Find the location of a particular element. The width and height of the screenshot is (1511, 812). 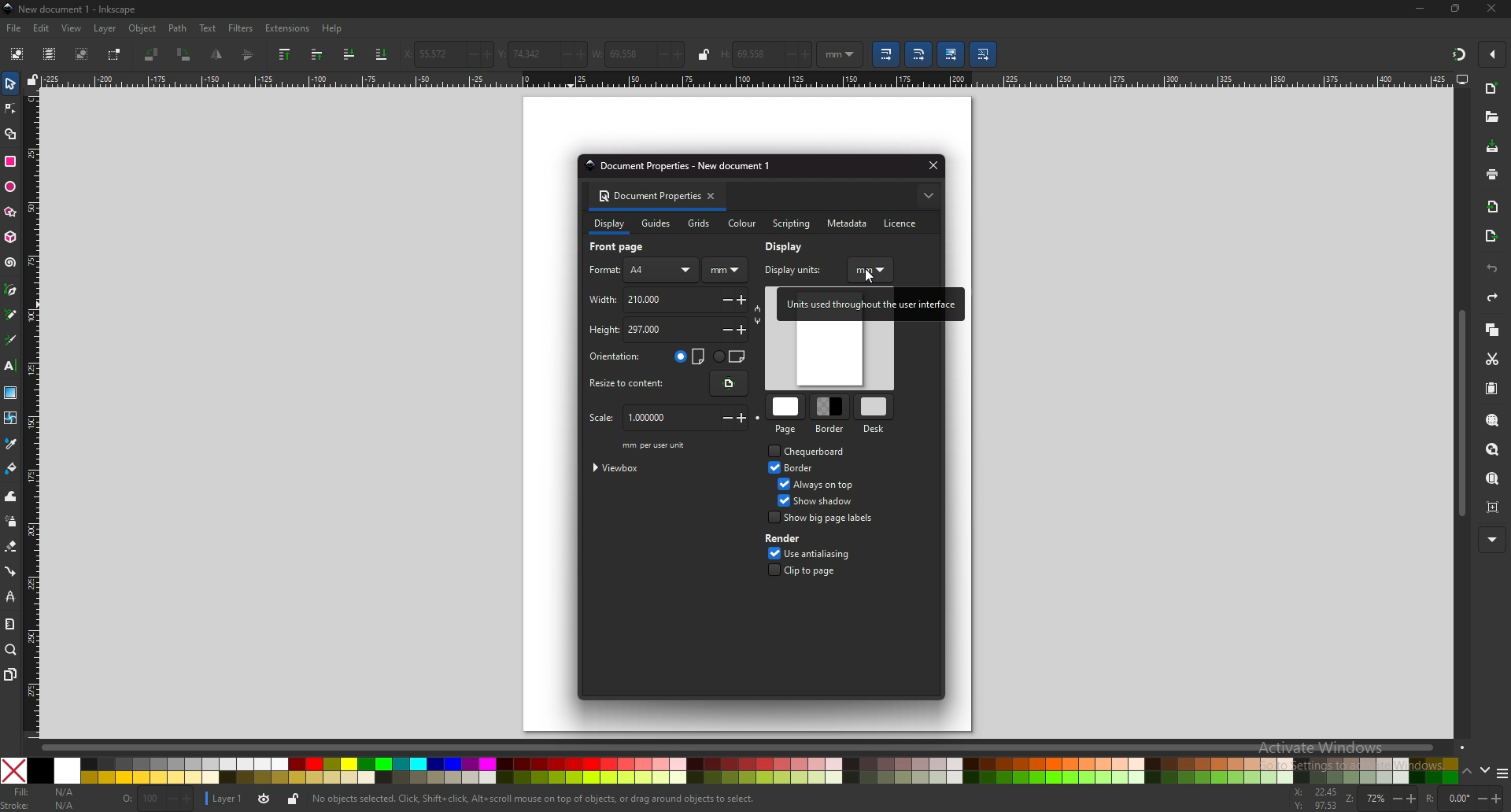

Units used throughout the user interface. is located at coordinates (868, 304).